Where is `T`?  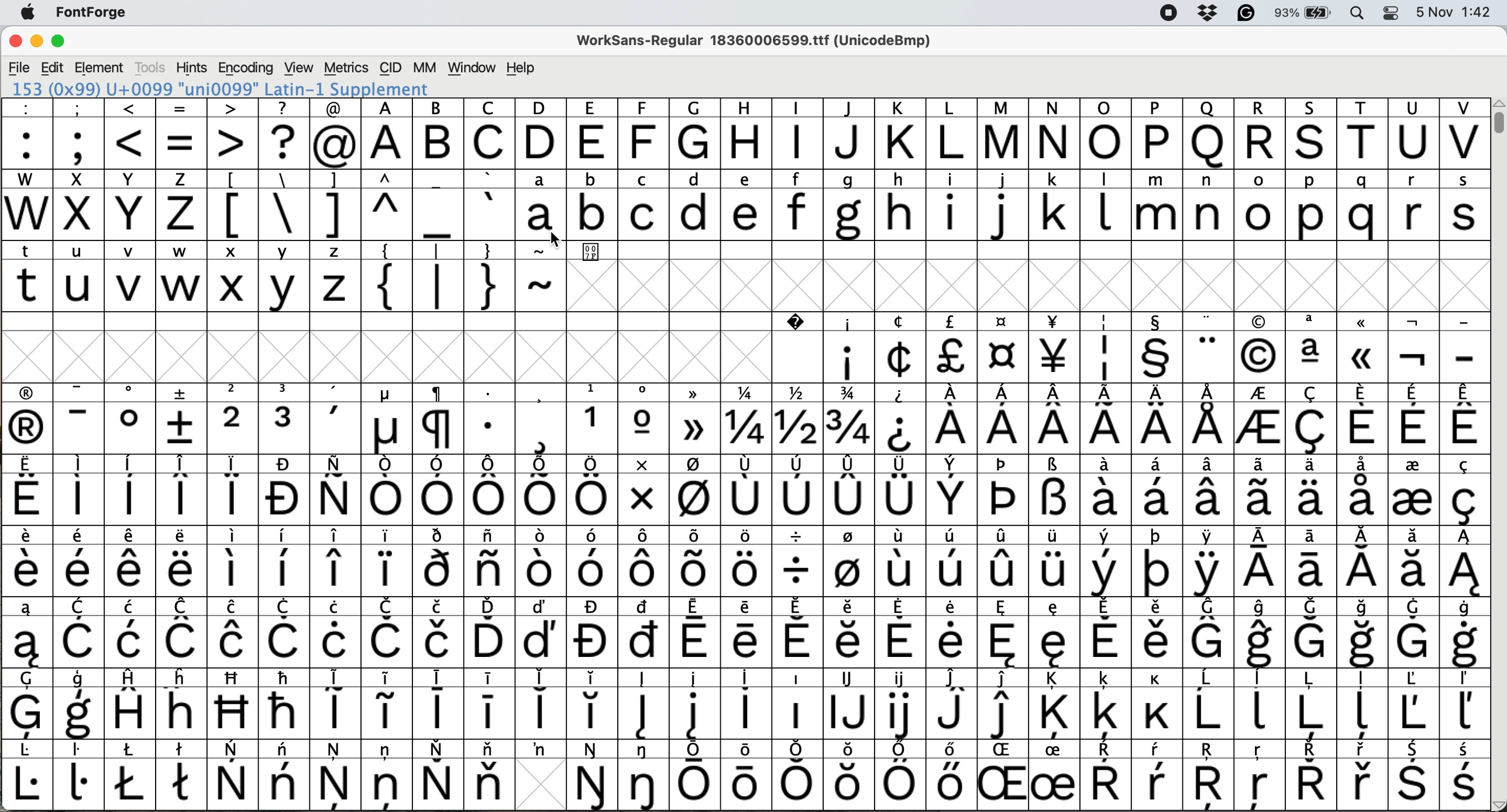
T is located at coordinates (1365, 135).